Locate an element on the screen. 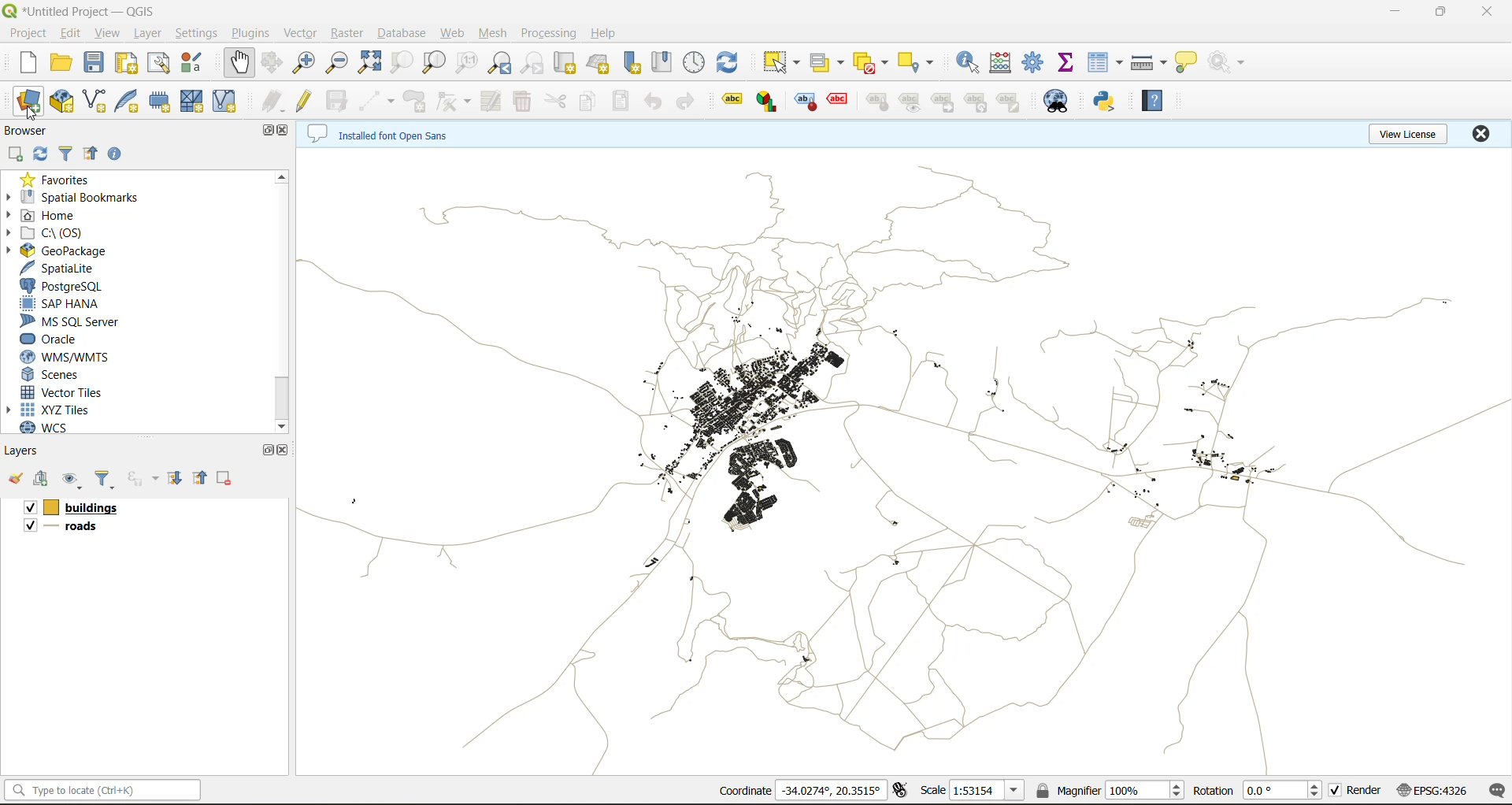  zoom last is located at coordinates (499, 63).